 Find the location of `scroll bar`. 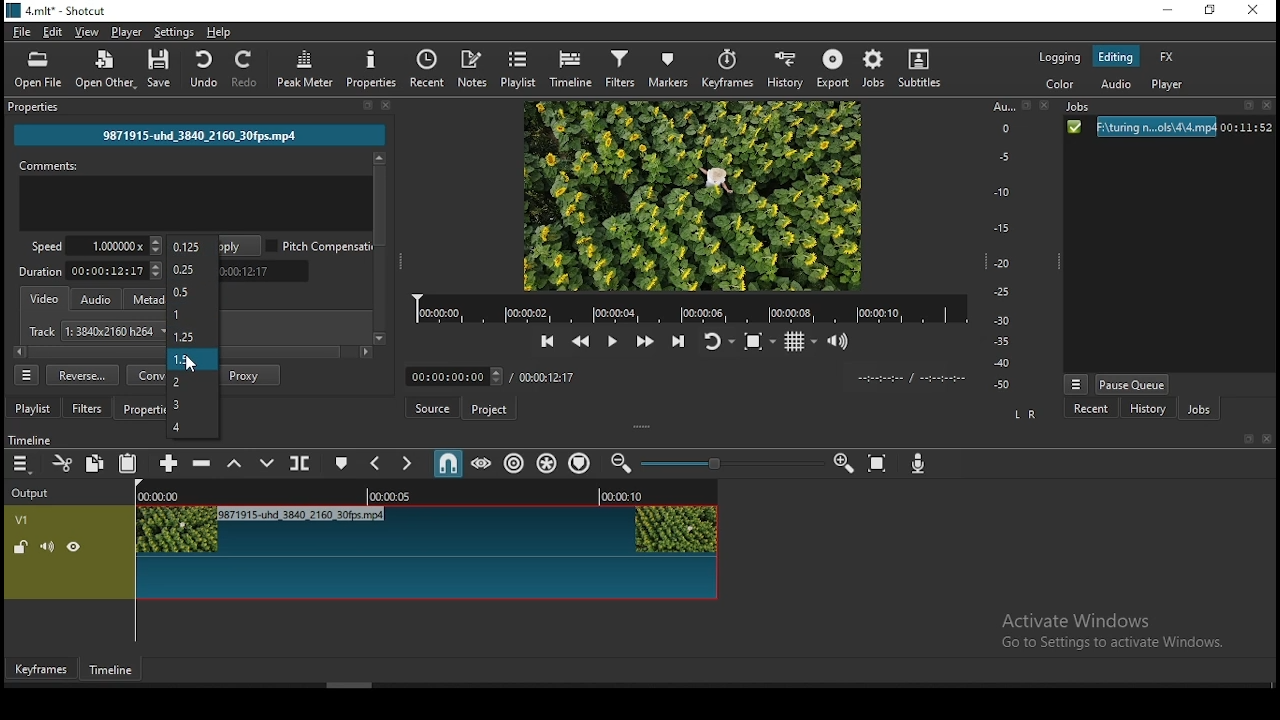

scroll bar is located at coordinates (465, 685).